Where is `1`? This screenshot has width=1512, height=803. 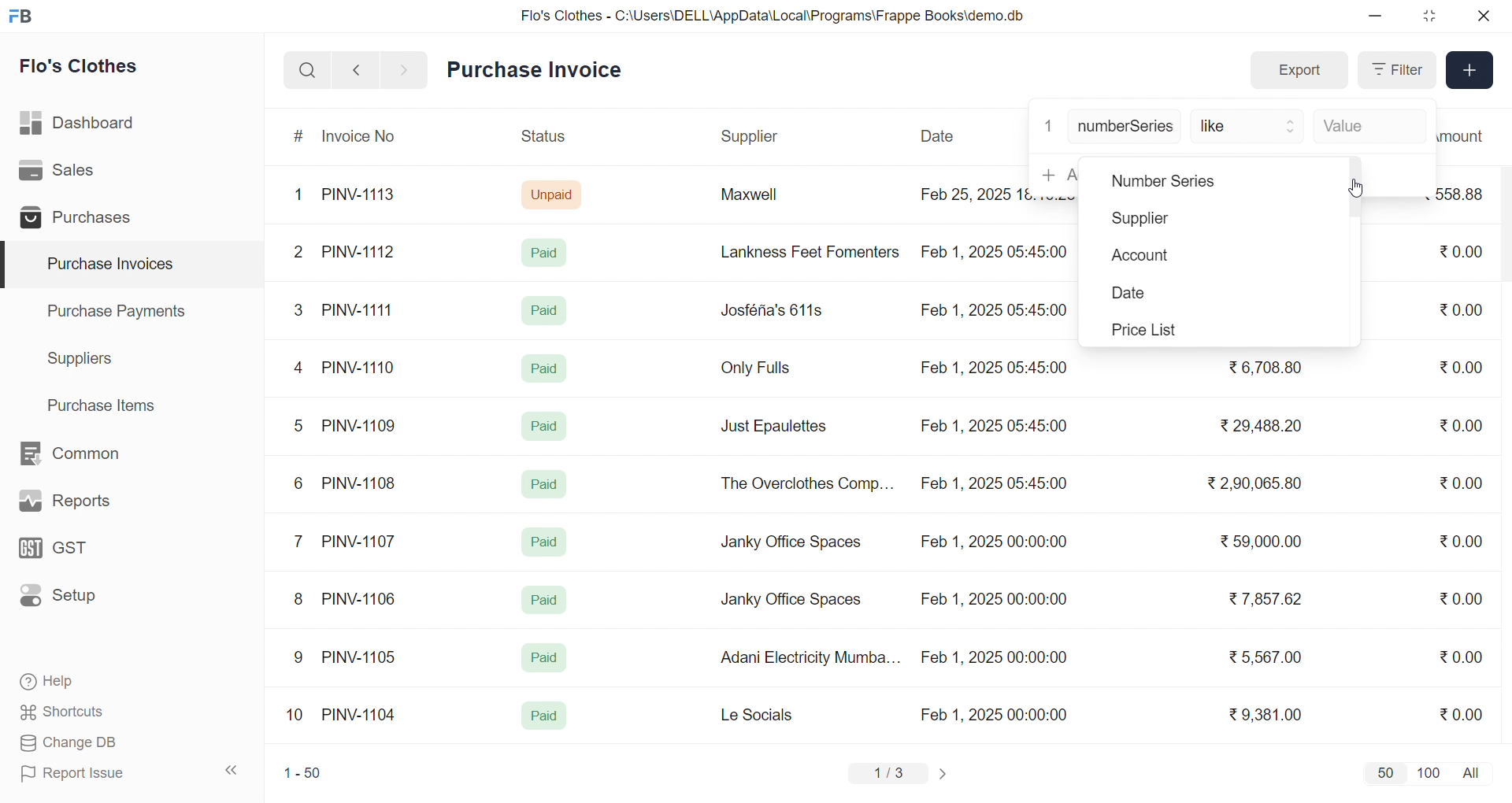 1 is located at coordinates (1048, 124).